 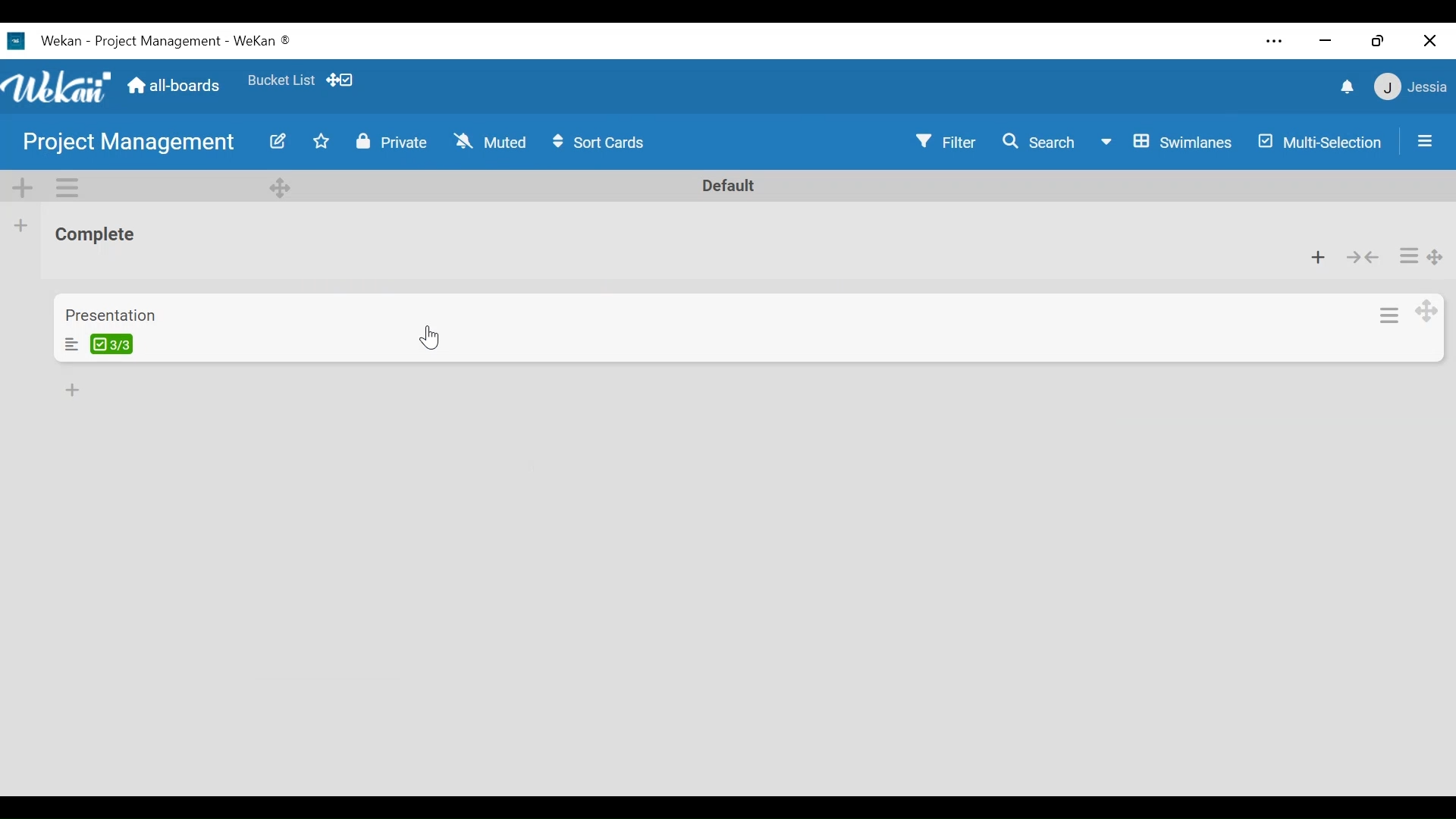 What do you see at coordinates (67, 186) in the screenshot?
I see `Swimlane actions` at bounding box center [67, 186].